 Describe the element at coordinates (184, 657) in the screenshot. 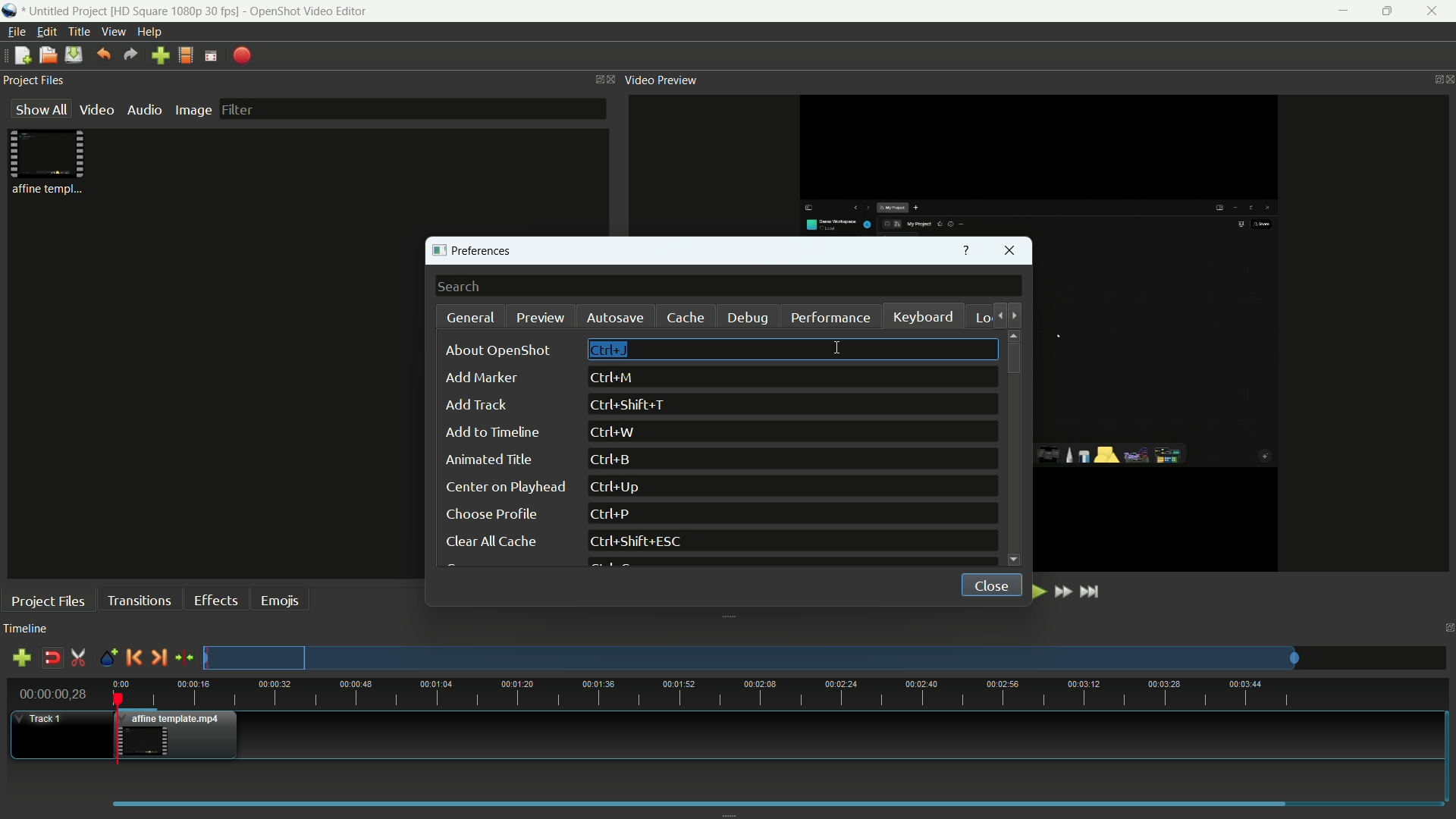

I see `center the timeline on the playhead` at that location.